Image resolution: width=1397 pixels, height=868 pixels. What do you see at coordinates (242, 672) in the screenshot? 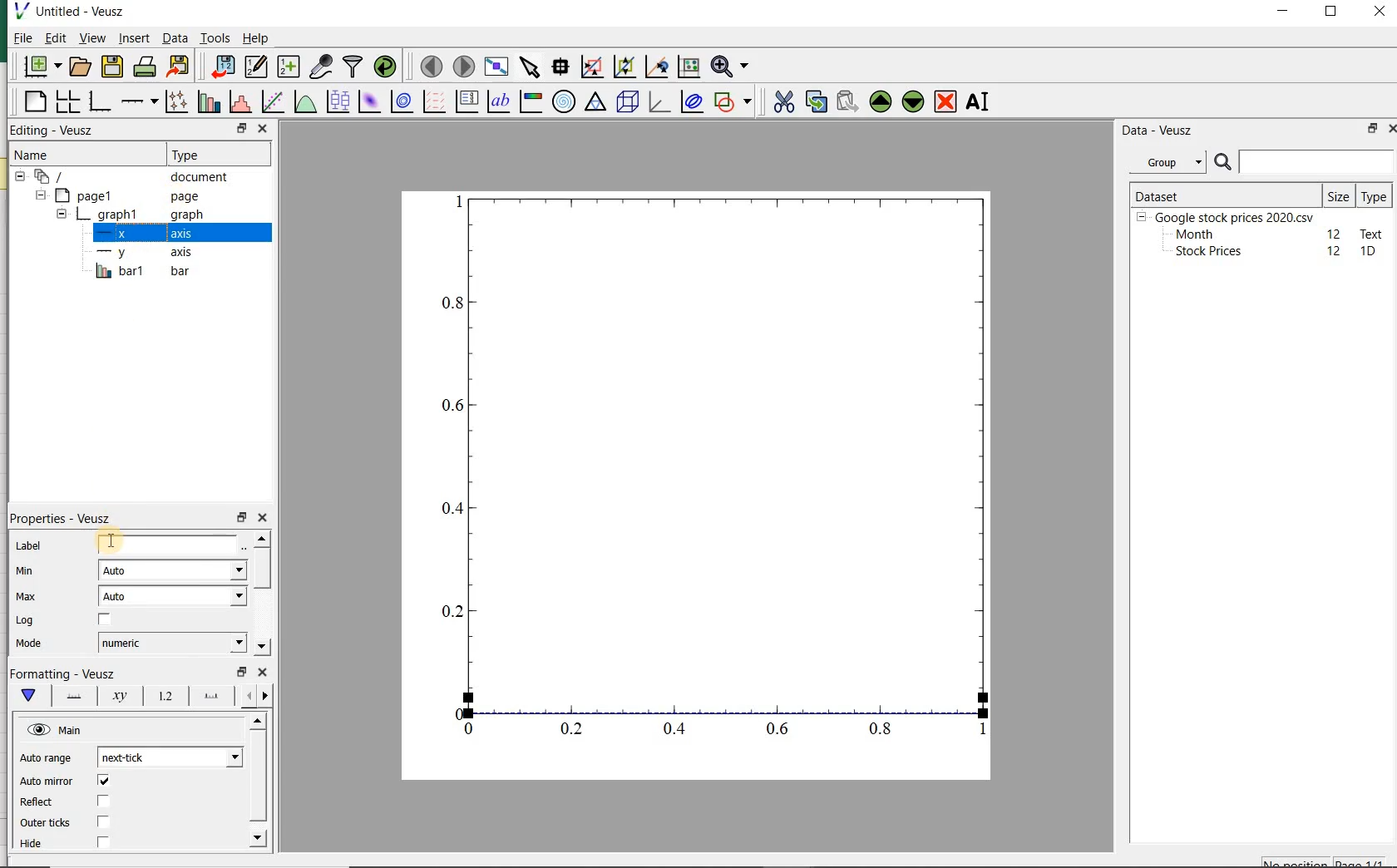
I see `restore` at bounding box center [242, 672].